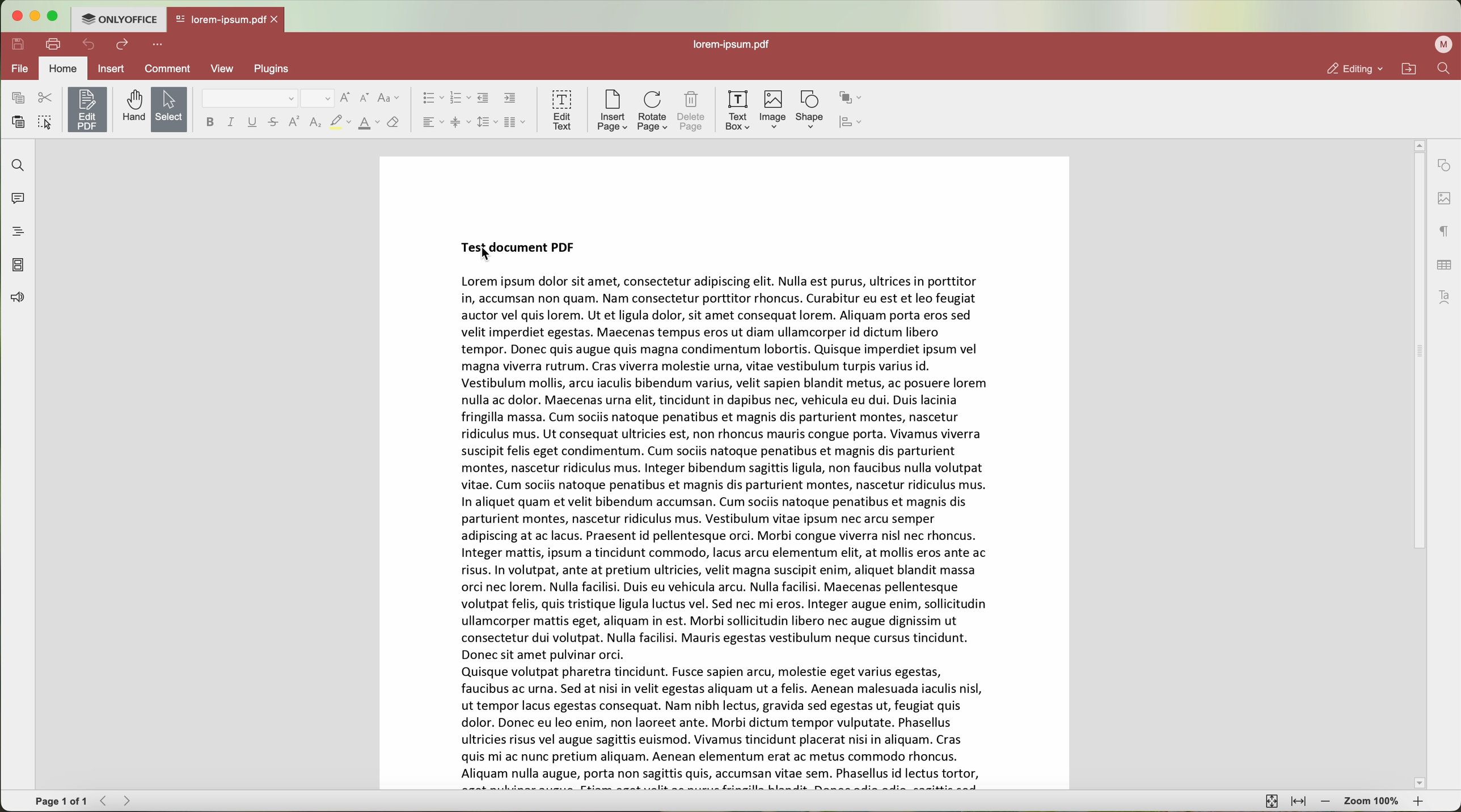 Image resolution: width=1461 pixels, height=812 pixels. I want to click on underline, so click(253, 124).